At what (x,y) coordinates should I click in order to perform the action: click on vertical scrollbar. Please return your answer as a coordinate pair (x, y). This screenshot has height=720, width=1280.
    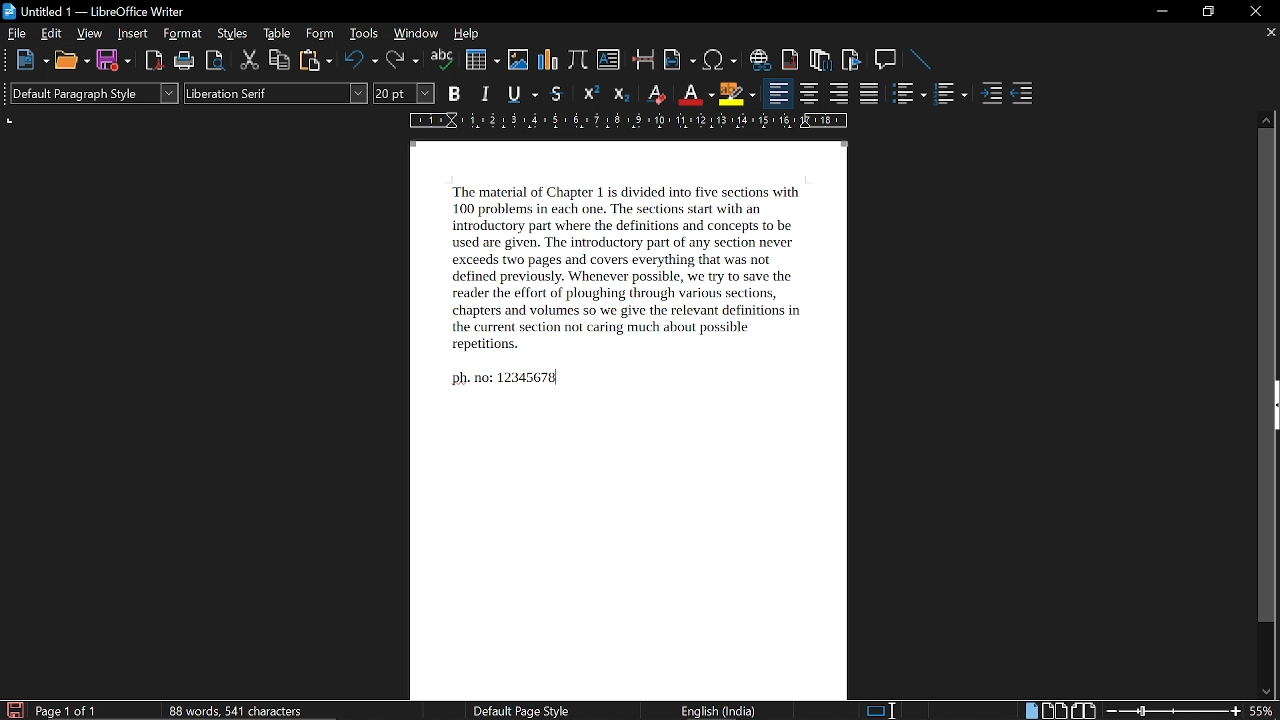
    Looking at the image, I should click on (1266, 376).